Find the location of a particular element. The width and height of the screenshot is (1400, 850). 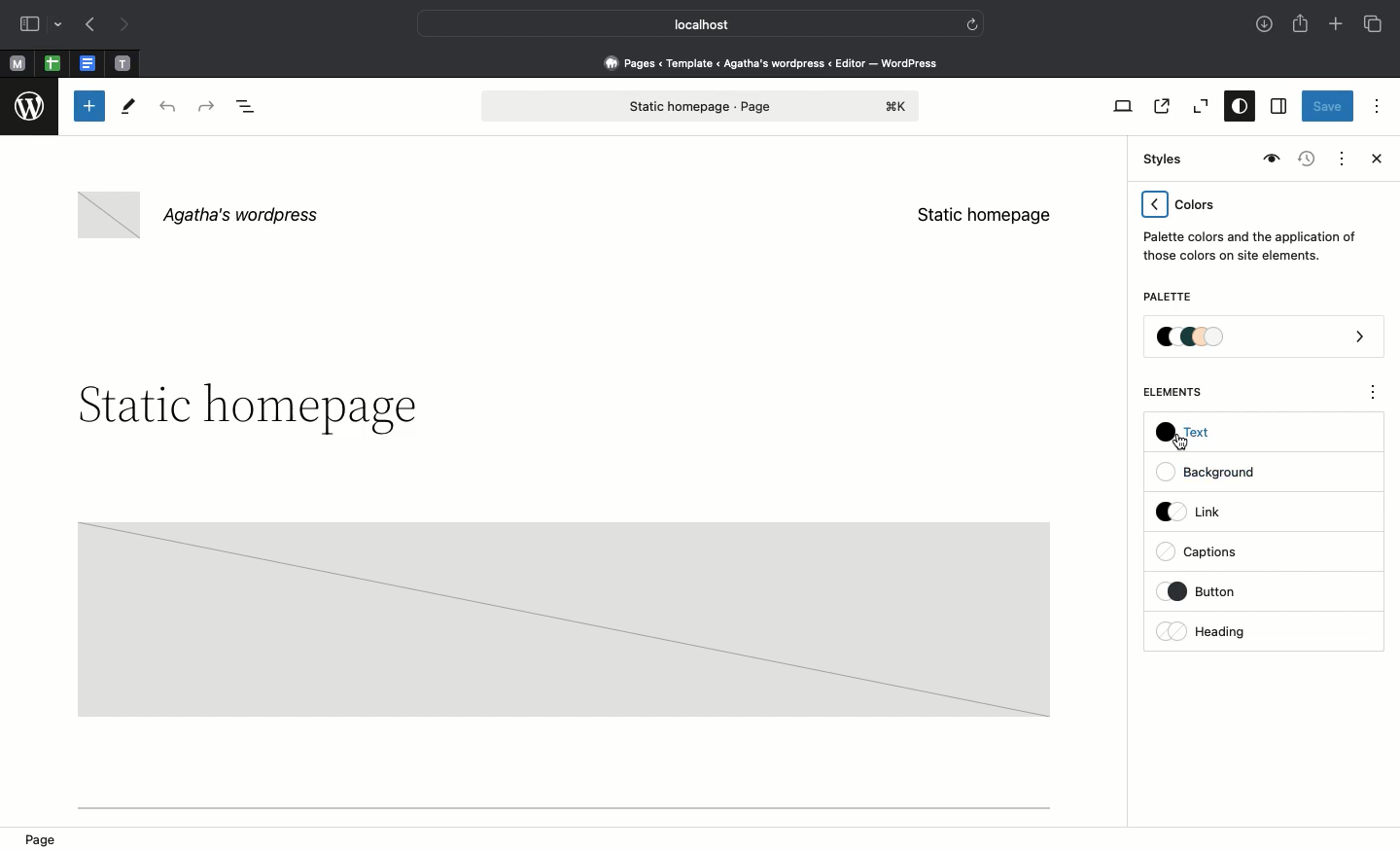

Local host is located at coordinates (686, 23).